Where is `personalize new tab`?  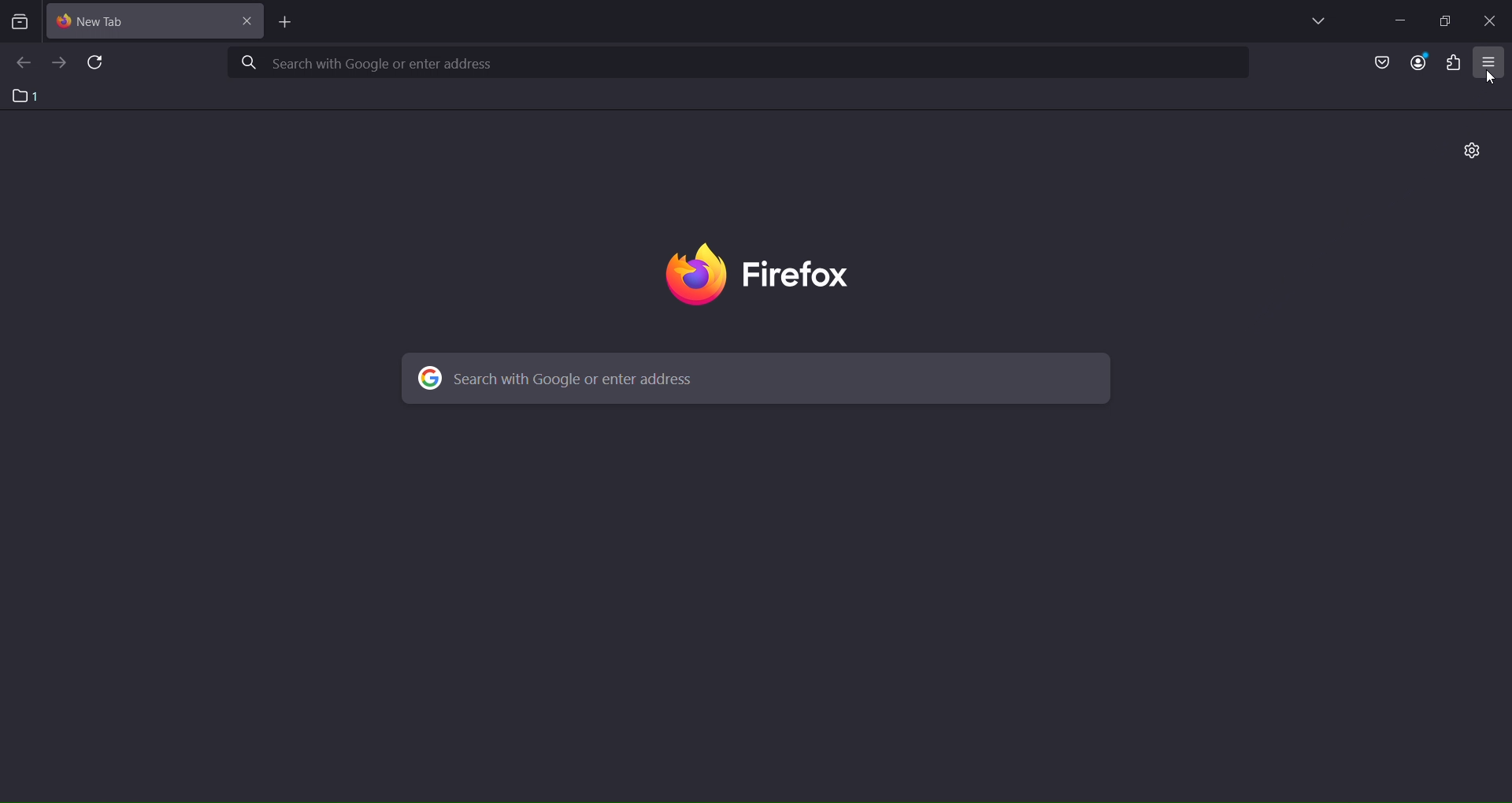
personalize new tab is located at coordinates (1472, 151).